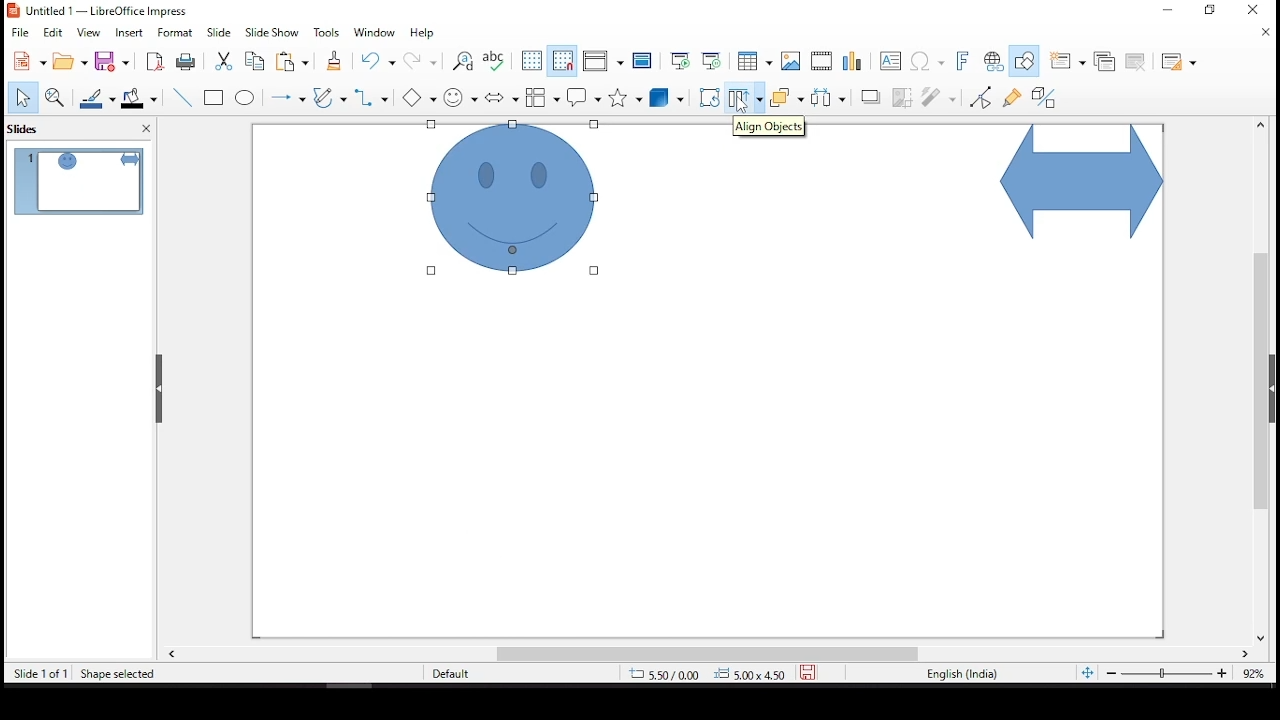 The height and width of the screenshot is (720, 1280). Describe the element at coordinates (962, 675) in the screenshot. I see `english (india)` at that location.